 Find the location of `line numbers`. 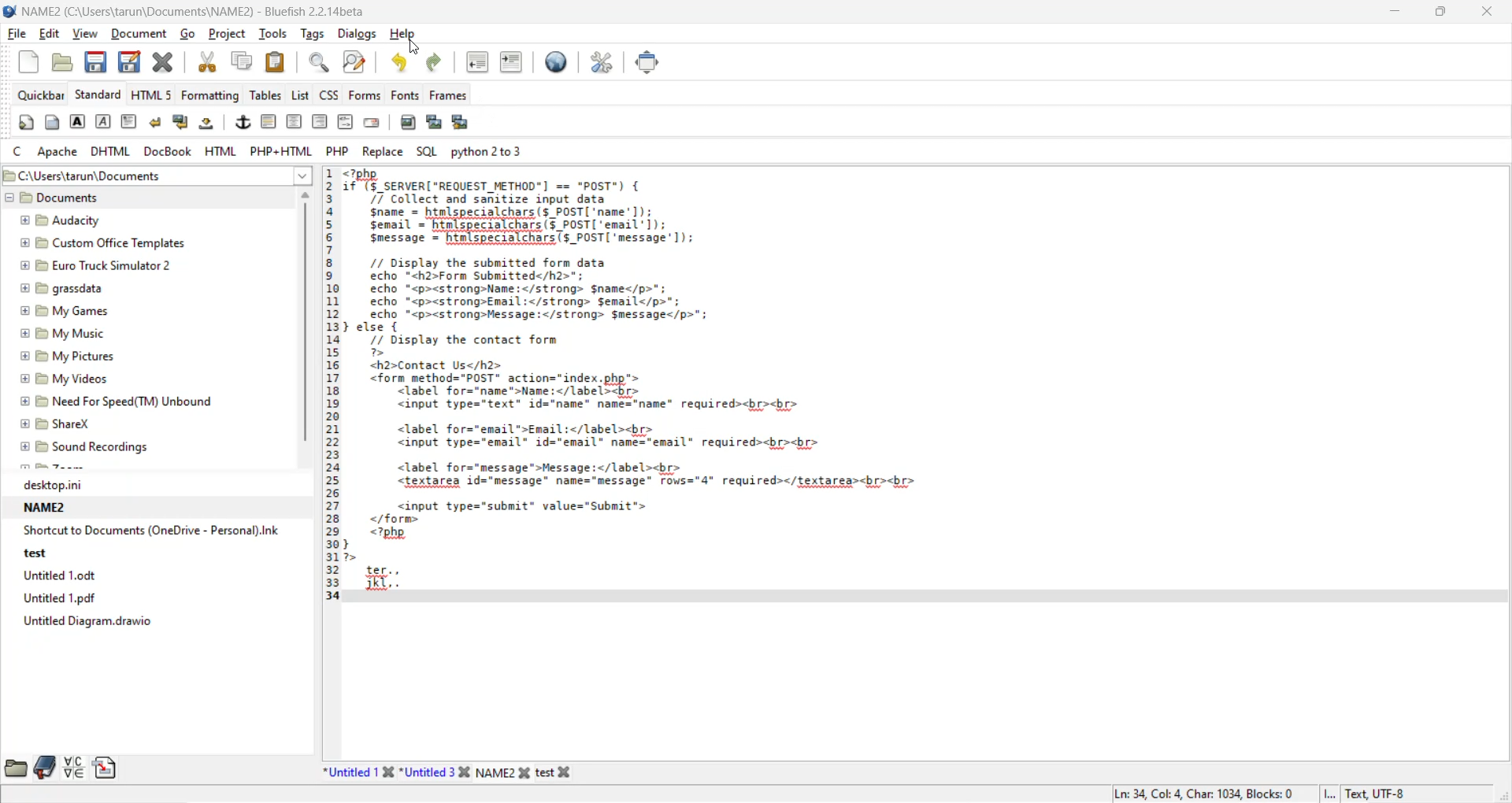

line numbers is located at coordinates (332, 386).